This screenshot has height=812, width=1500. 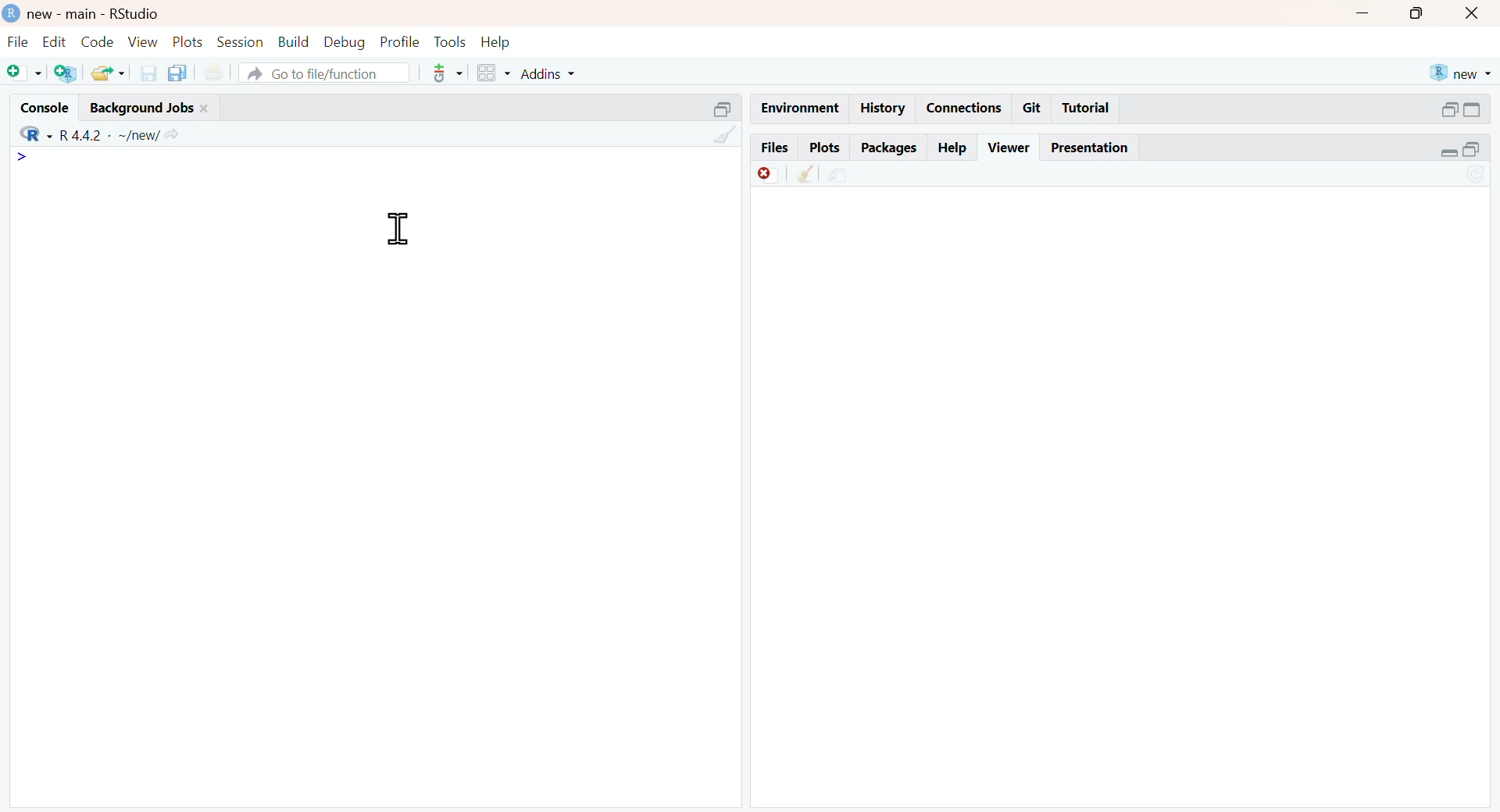 I want to click on Background Jobs, so click(x=163, y=105).